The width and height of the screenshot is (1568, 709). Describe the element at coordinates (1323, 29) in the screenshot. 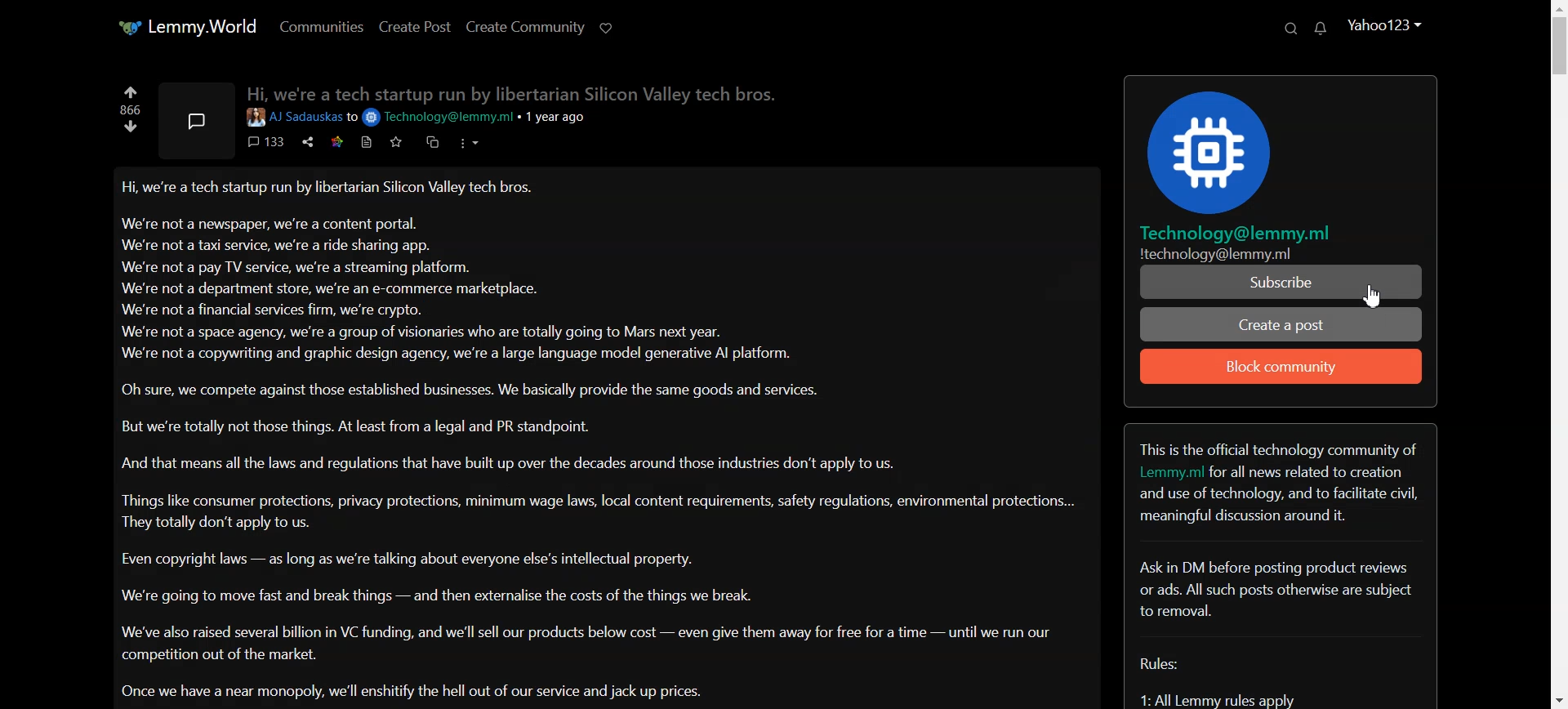

I see `Unread Message` at that location.